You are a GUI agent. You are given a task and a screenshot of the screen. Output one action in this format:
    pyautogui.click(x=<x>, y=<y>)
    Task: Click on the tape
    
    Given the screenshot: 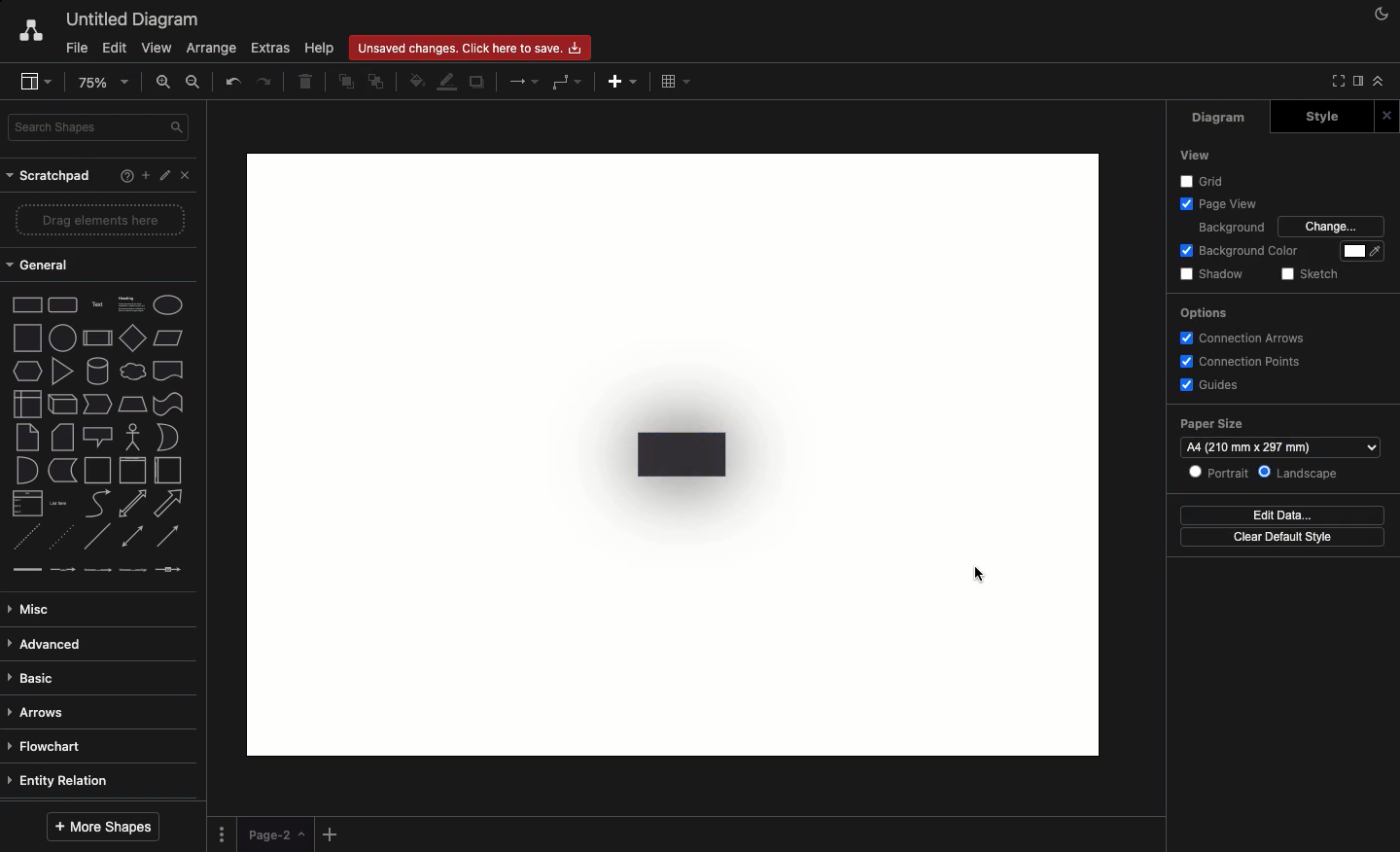 What is the action you would take?
    pyautogui.click(x=169, y=403)
    